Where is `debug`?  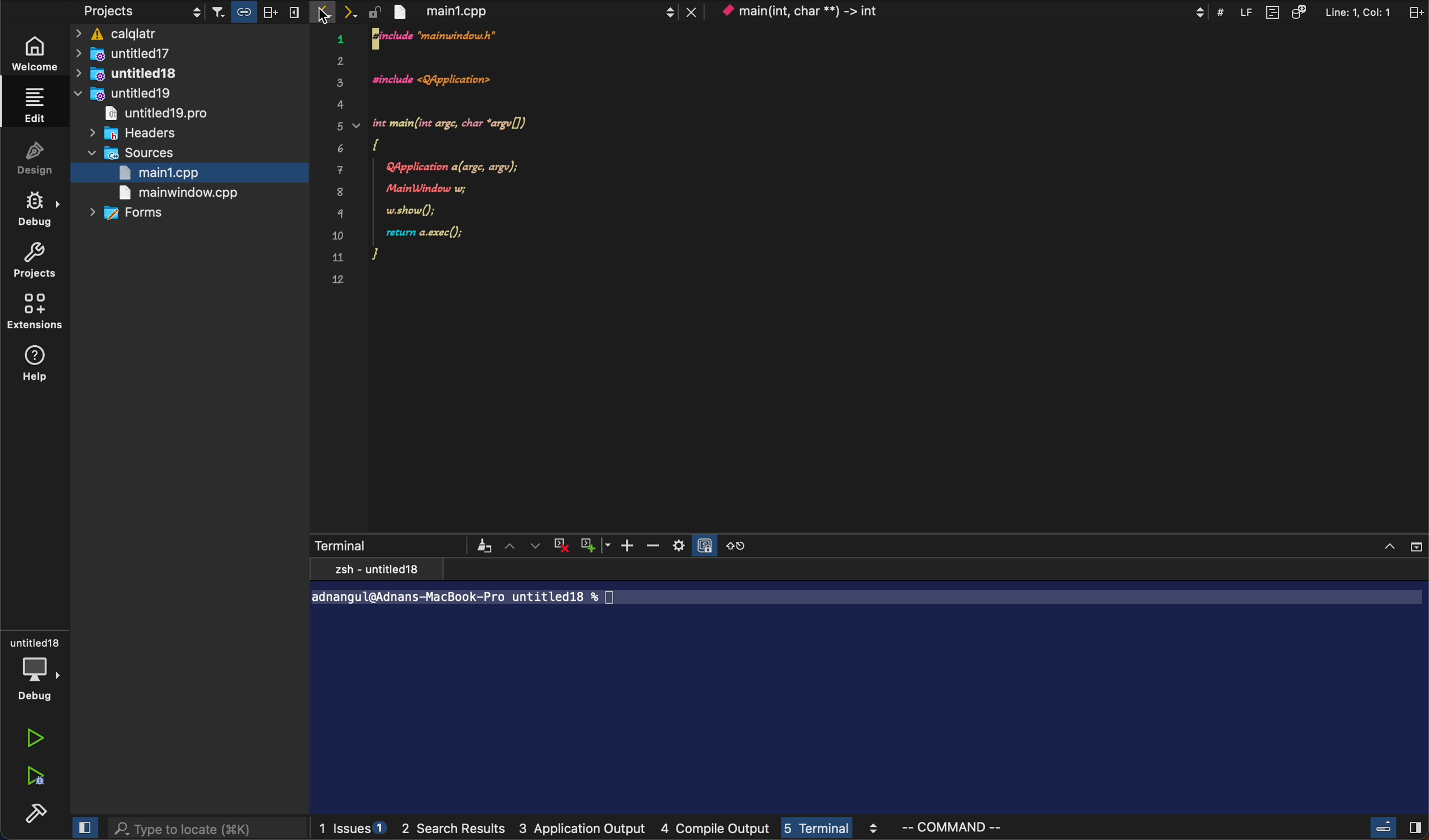
debug is located at coordinates (35, 212).